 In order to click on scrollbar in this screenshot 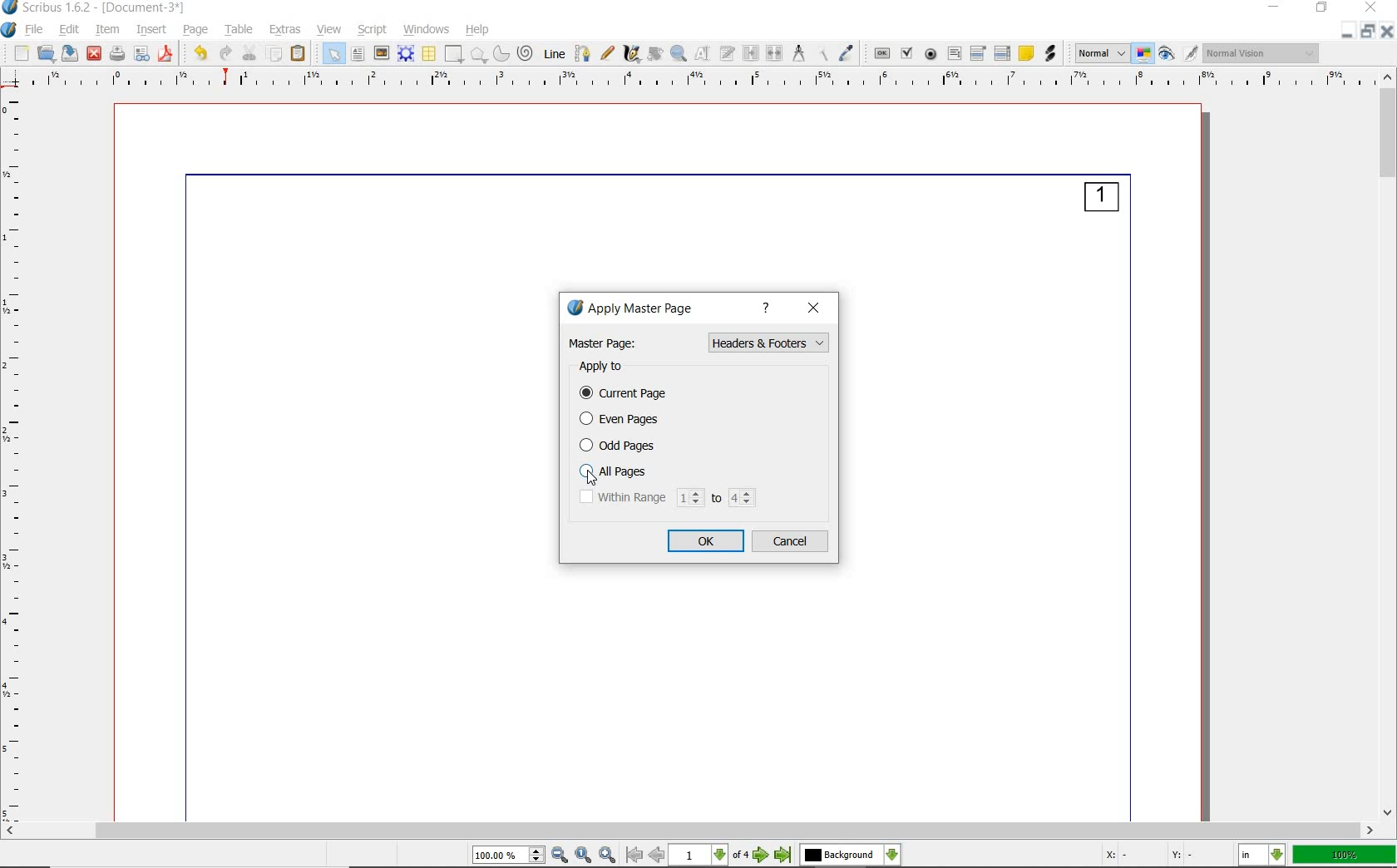, I will do `click(690, 831)`.